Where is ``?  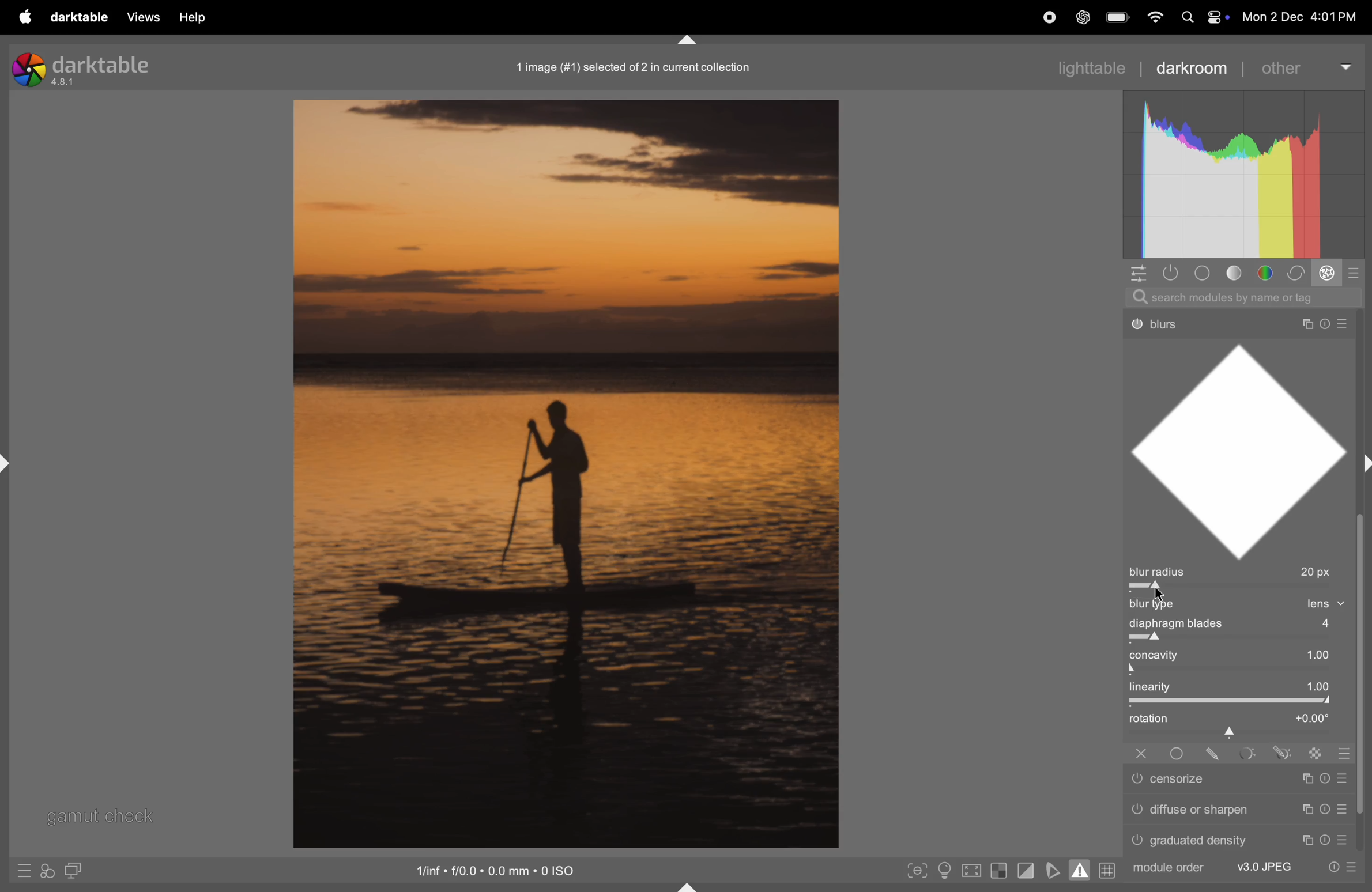
 is located at coordinates (1242, 839).